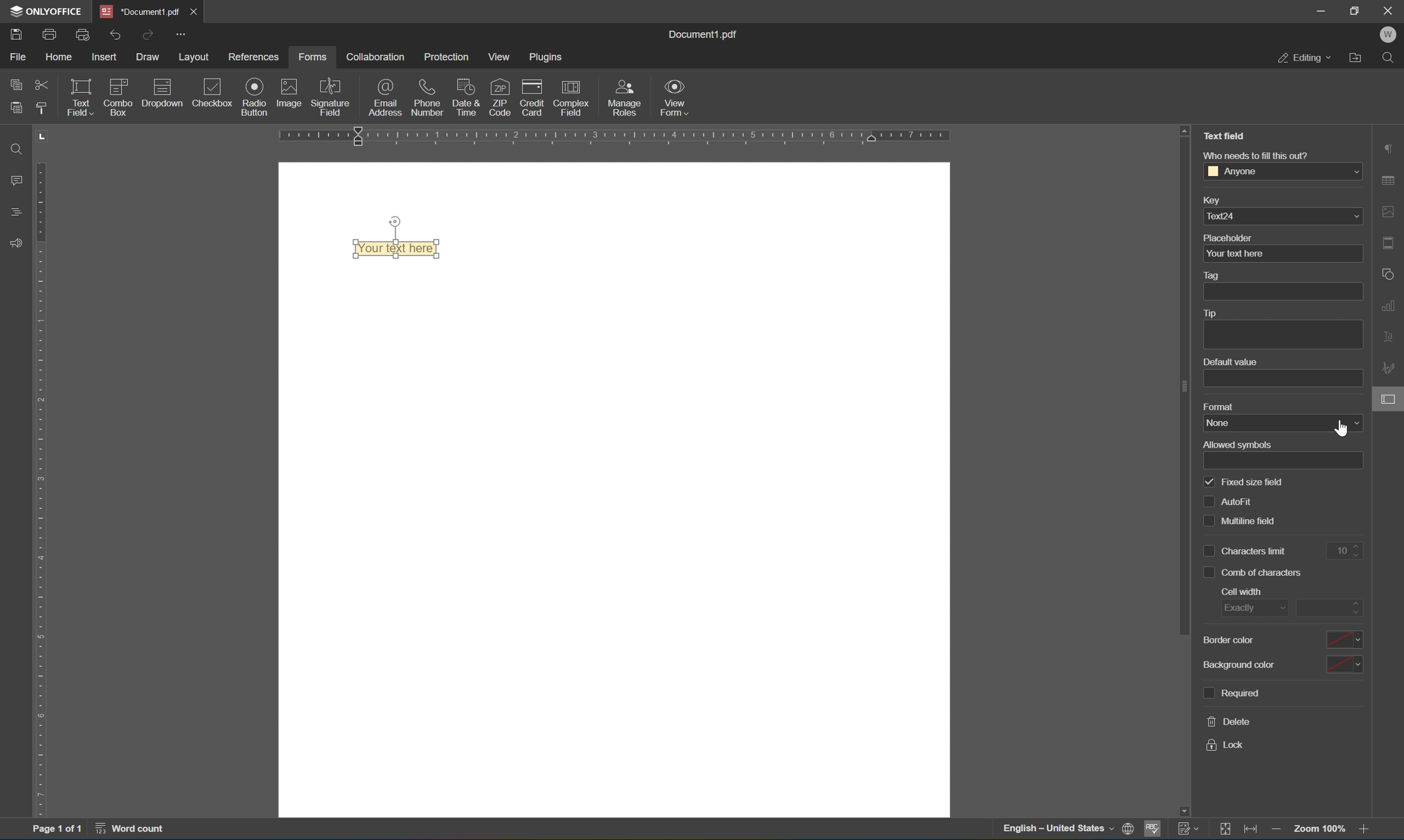 The height and width of the screenshot is (840, 1404). Describe the element at coordinates (256, 57) in the screenshot. I see `references` at that location.